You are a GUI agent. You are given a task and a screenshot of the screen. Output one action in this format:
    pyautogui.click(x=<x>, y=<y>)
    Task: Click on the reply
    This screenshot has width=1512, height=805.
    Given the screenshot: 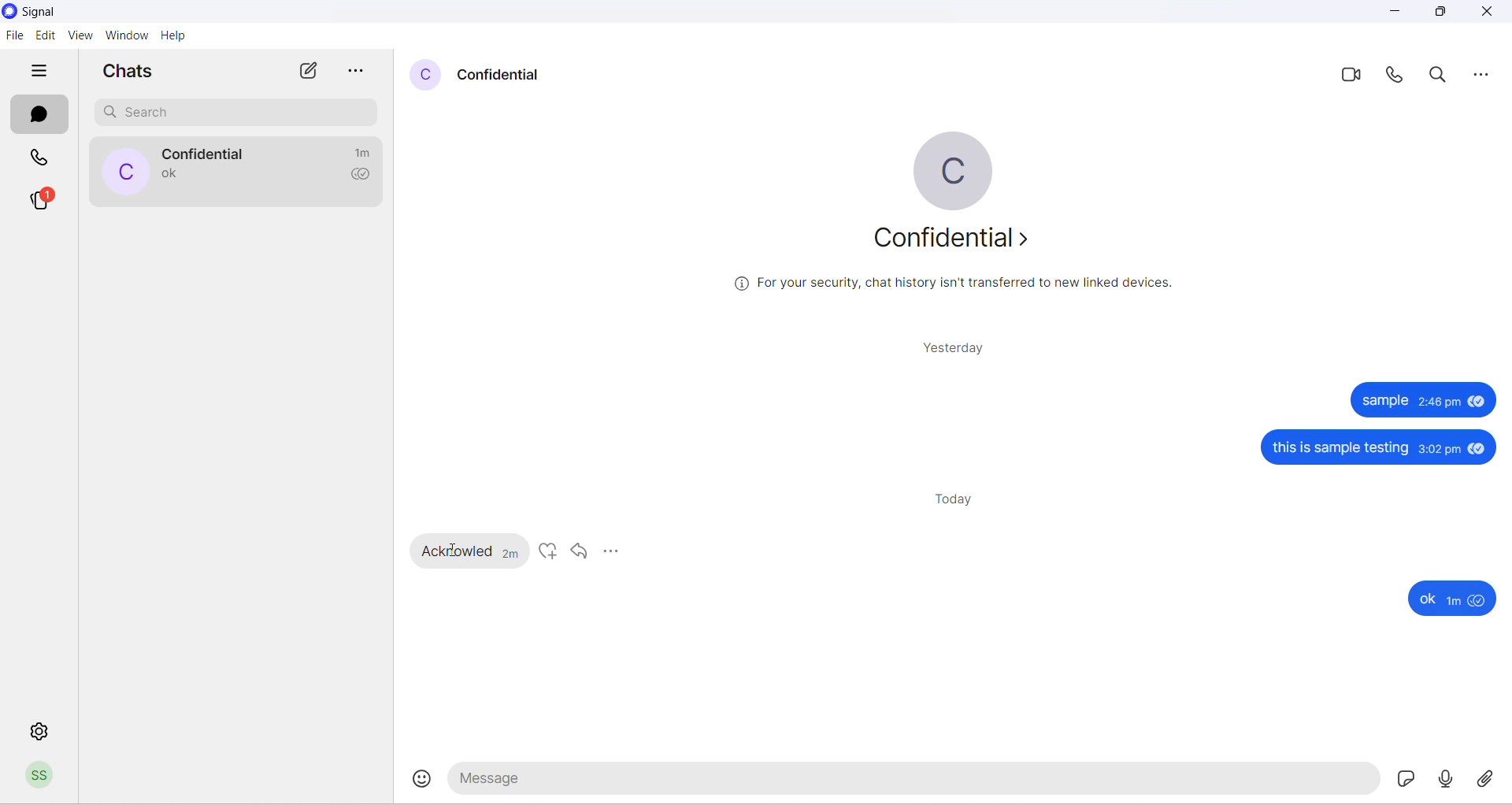 What is the action you would take?
    pyautogui.click(x=580, y=553)
    